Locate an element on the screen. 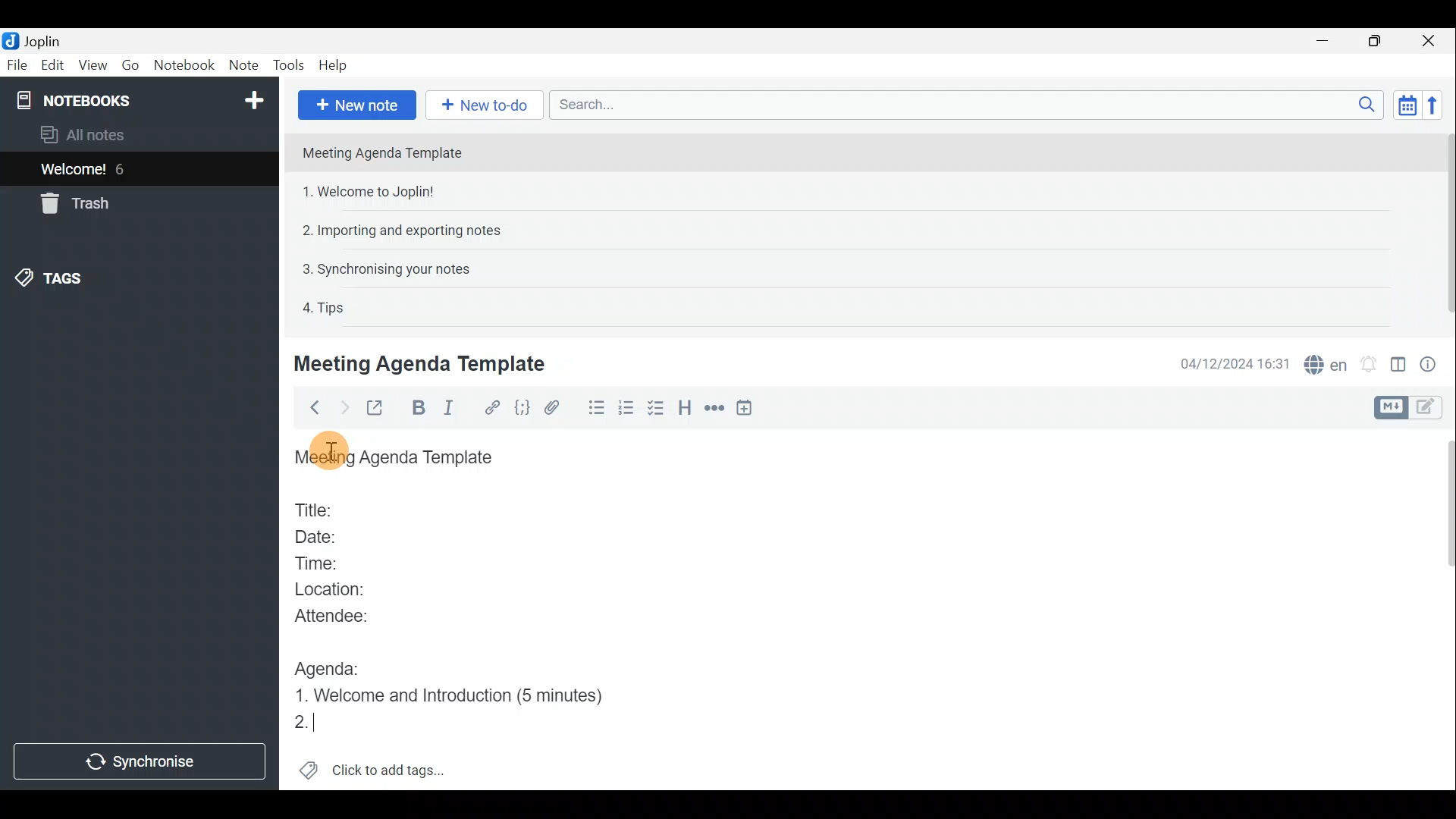 This screenshot has height=819, width=1456. Help is located at coordinates (336, 65).